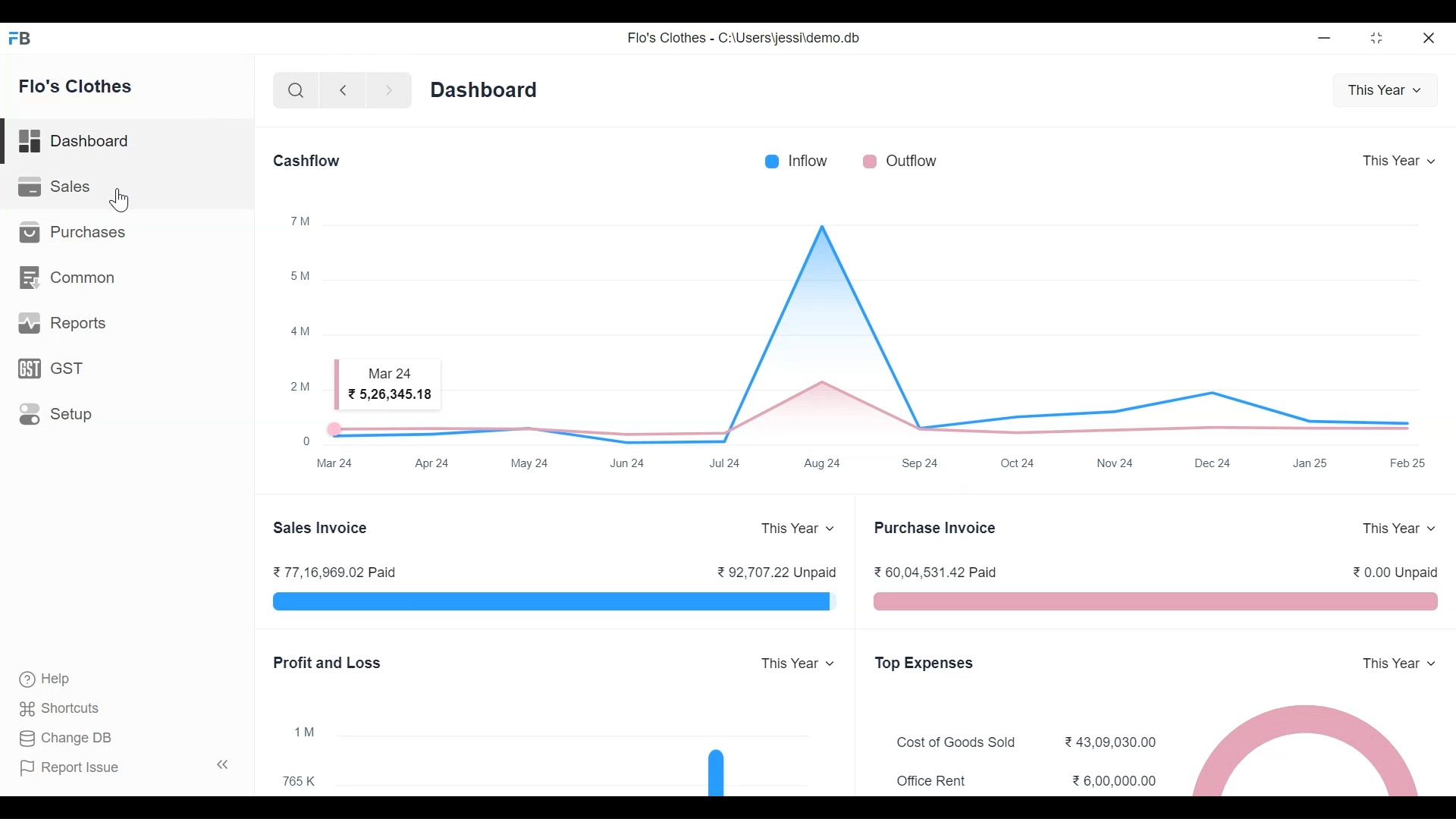  Describe the element at coordinates (1308, 463) in the screenshot. I see `Jan 25` at that location.